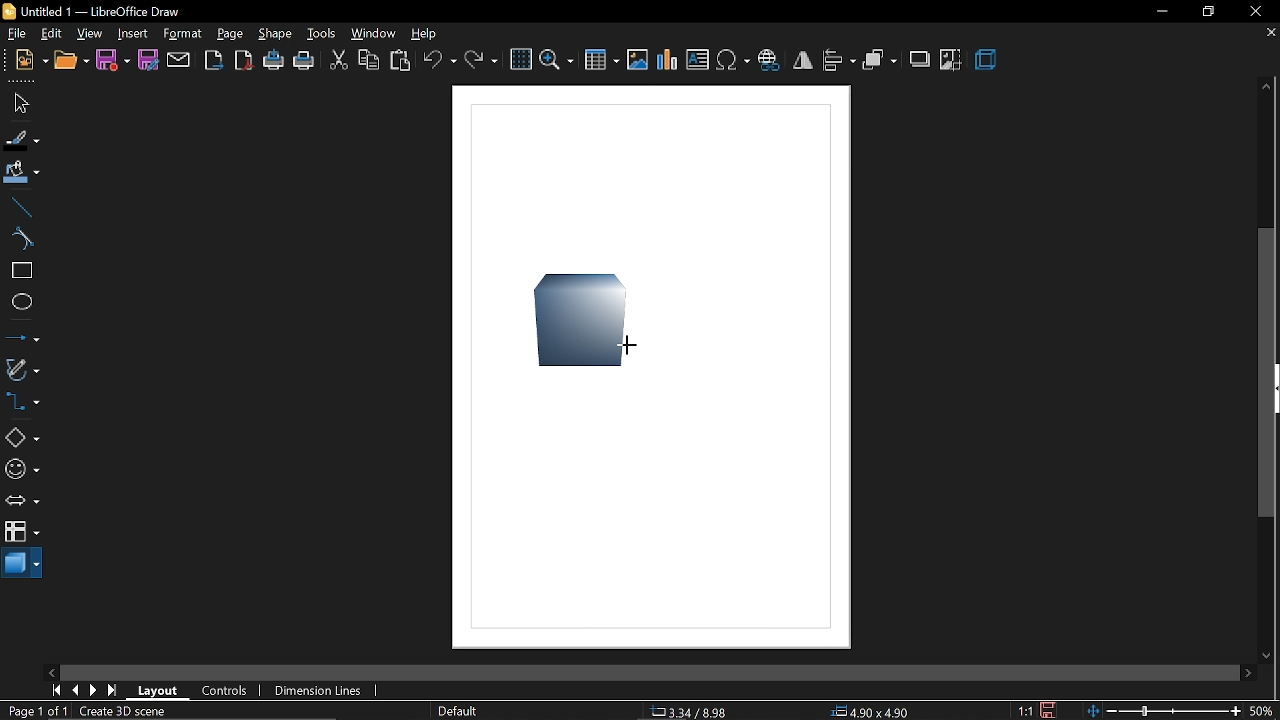 This screenshot has width=1280, height=720. Describe the element at coordinates (1258, 10) in the screenshot. I see `close` at that location.